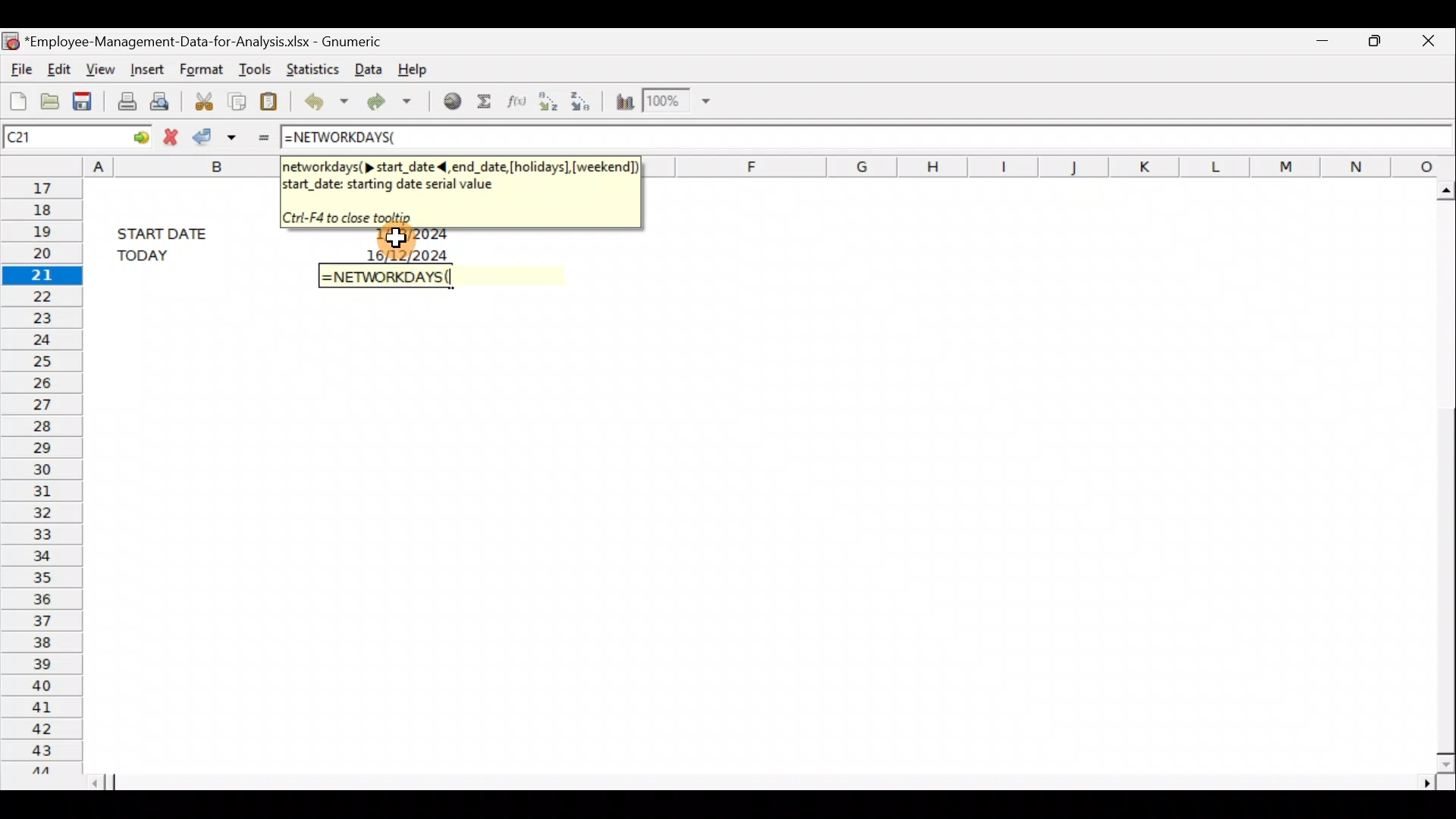  I want to click on Zoom, so click(679, 102).